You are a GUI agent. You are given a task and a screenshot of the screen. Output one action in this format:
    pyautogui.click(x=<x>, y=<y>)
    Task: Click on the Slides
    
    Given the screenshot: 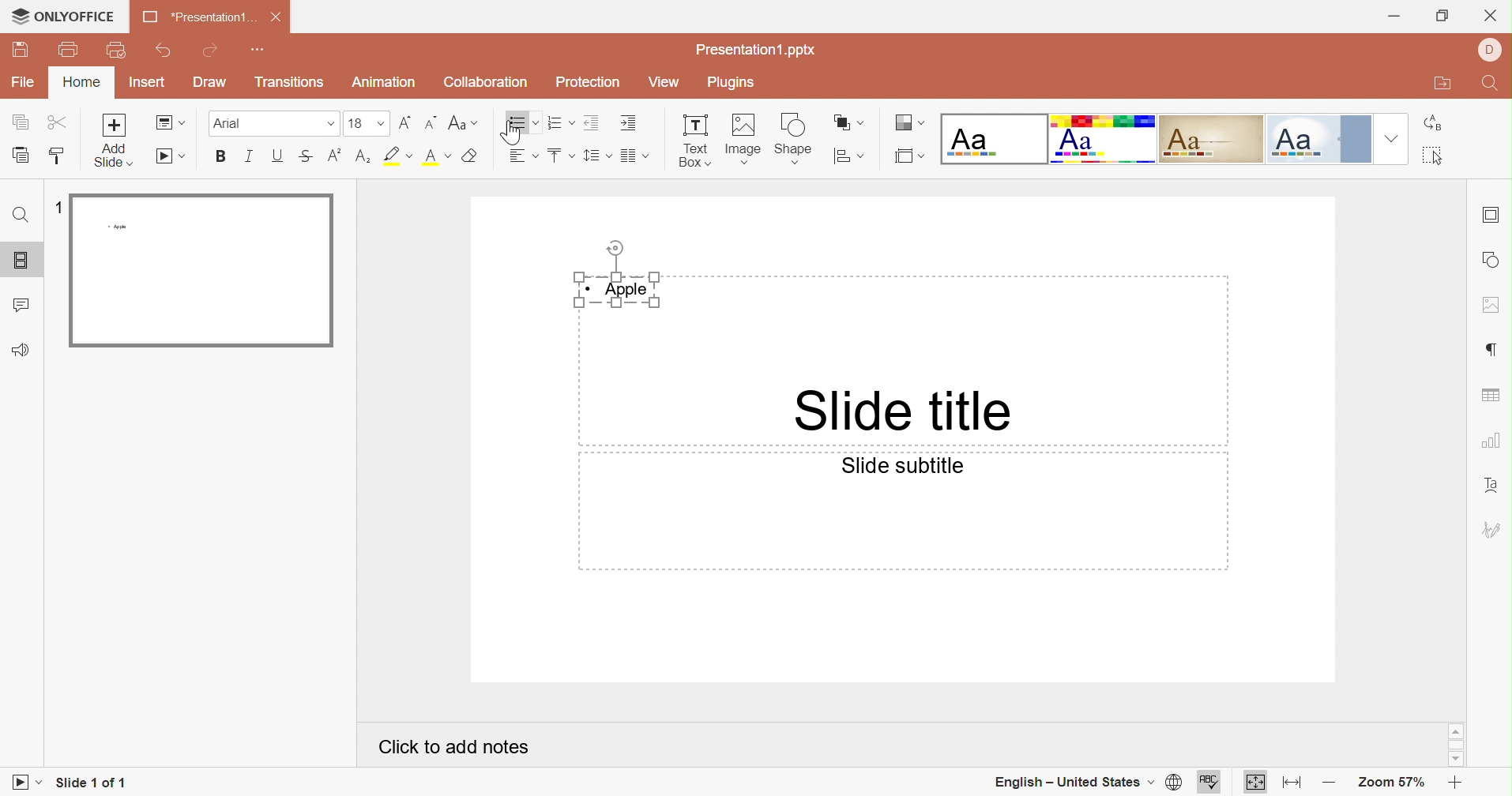 What is the action you would take?
    pyautogui.click(x=23, y=262)
    